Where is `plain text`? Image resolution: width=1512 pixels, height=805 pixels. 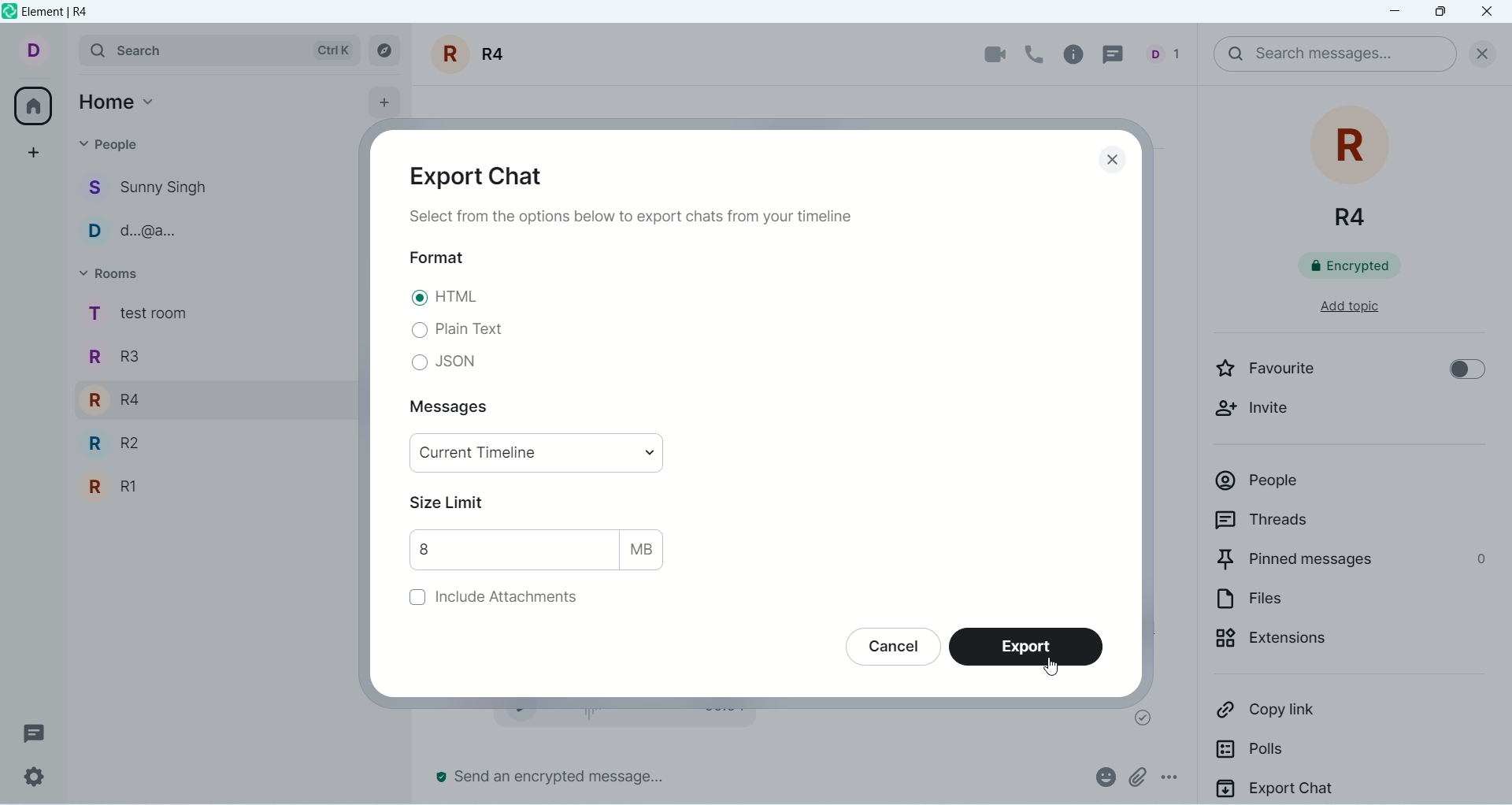
plain text is located at coordinates (454, 329).